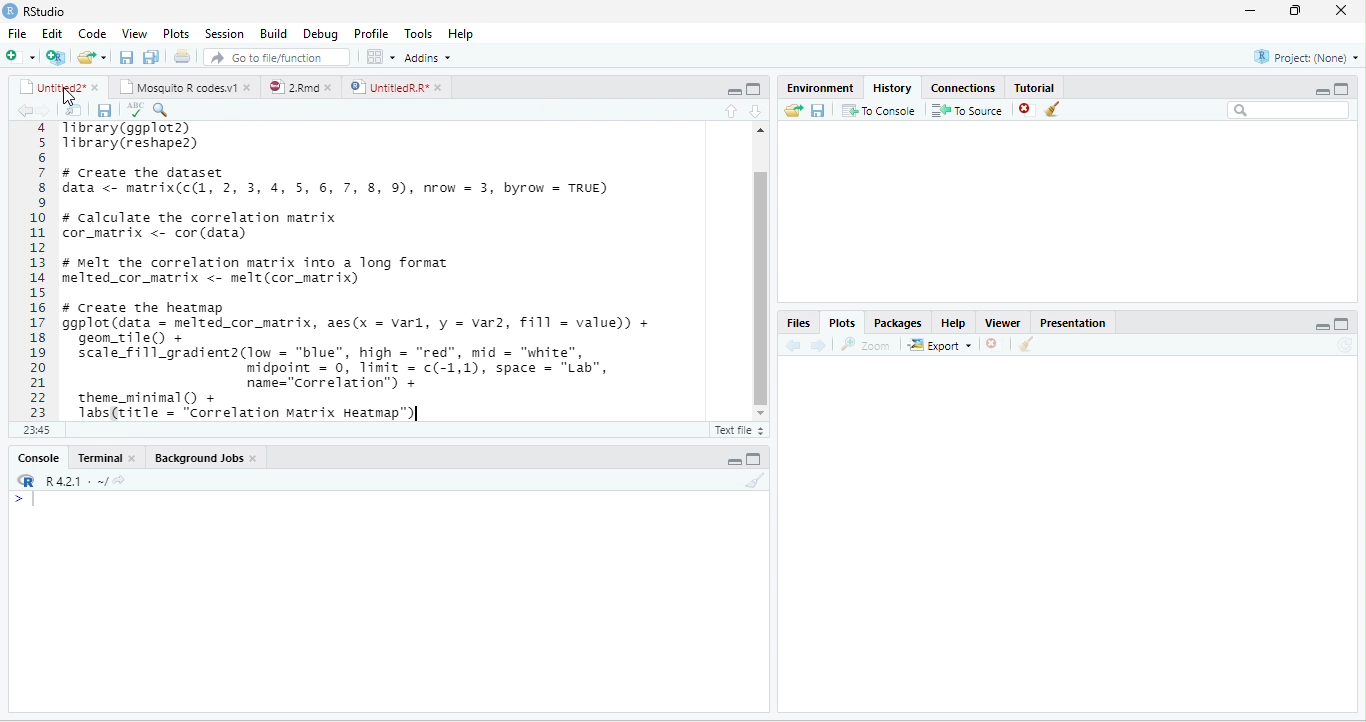 The image size is (1366, 722). I want to click on next, so click(824, 344).